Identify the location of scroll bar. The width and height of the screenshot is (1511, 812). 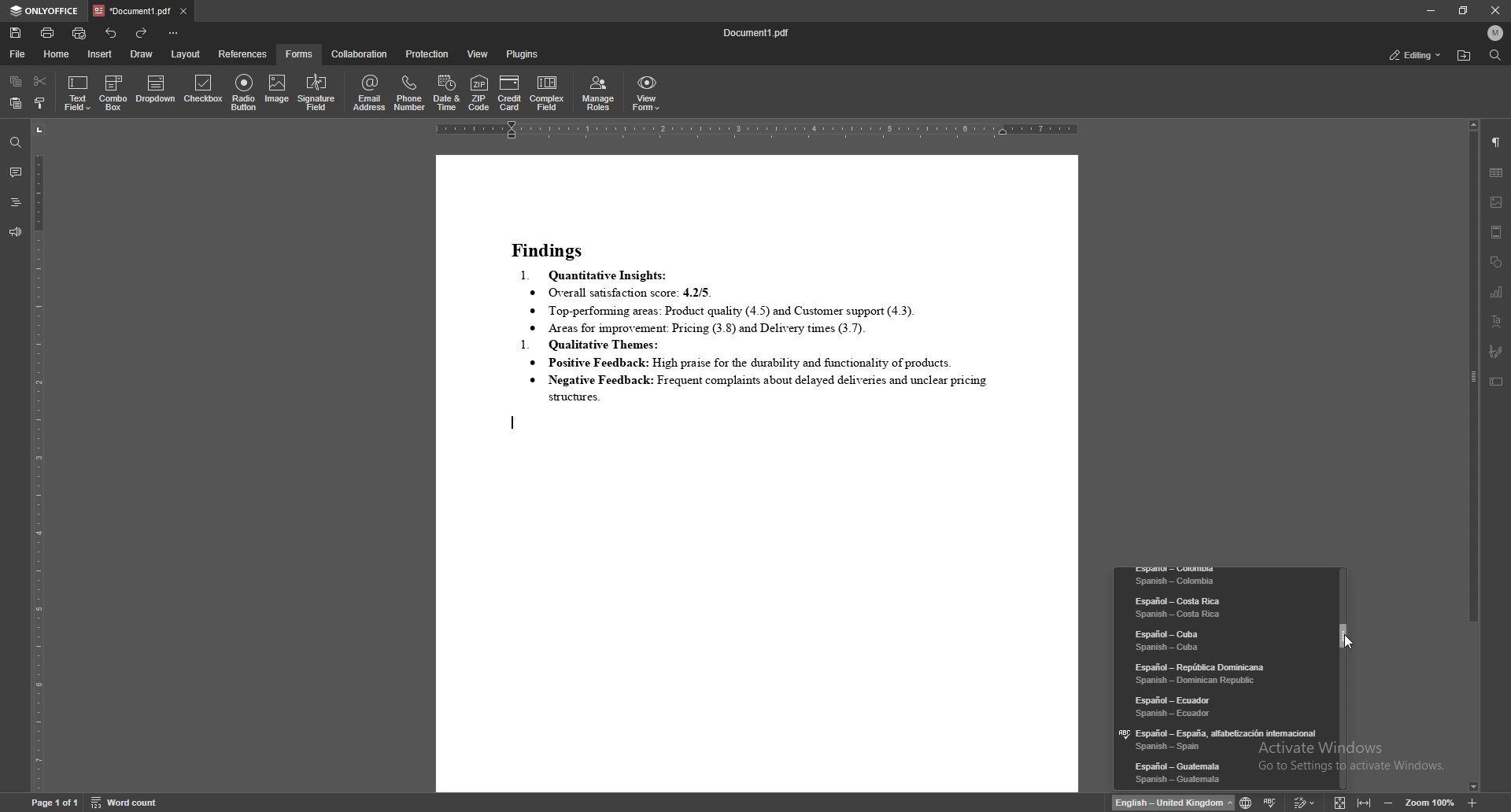
(1345, 677).